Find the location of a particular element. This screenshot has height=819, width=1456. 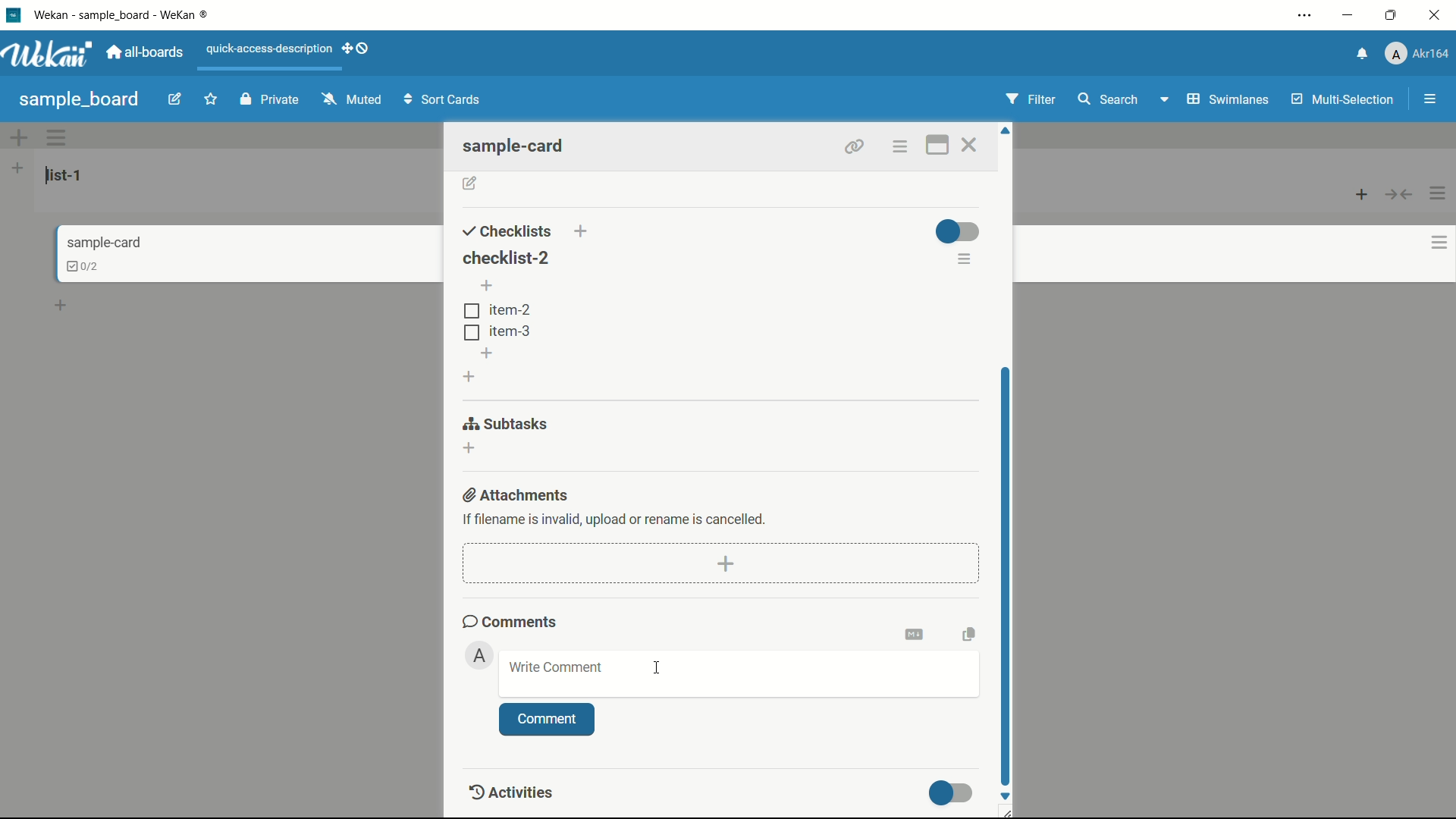

checklist actions is located at coordinates (965, 261).